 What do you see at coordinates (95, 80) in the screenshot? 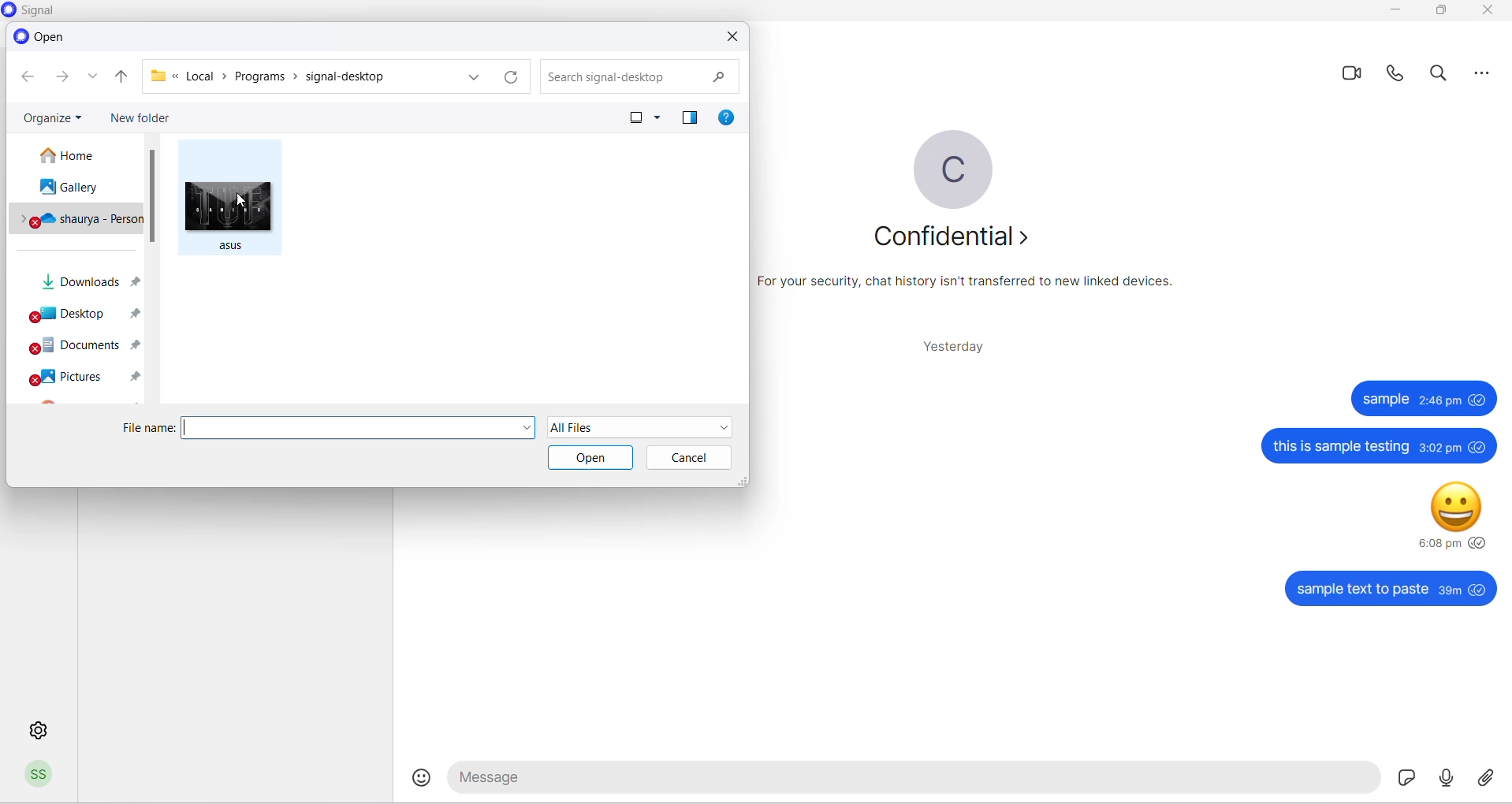
I see `recent locations` at bounding box center [95, 80].